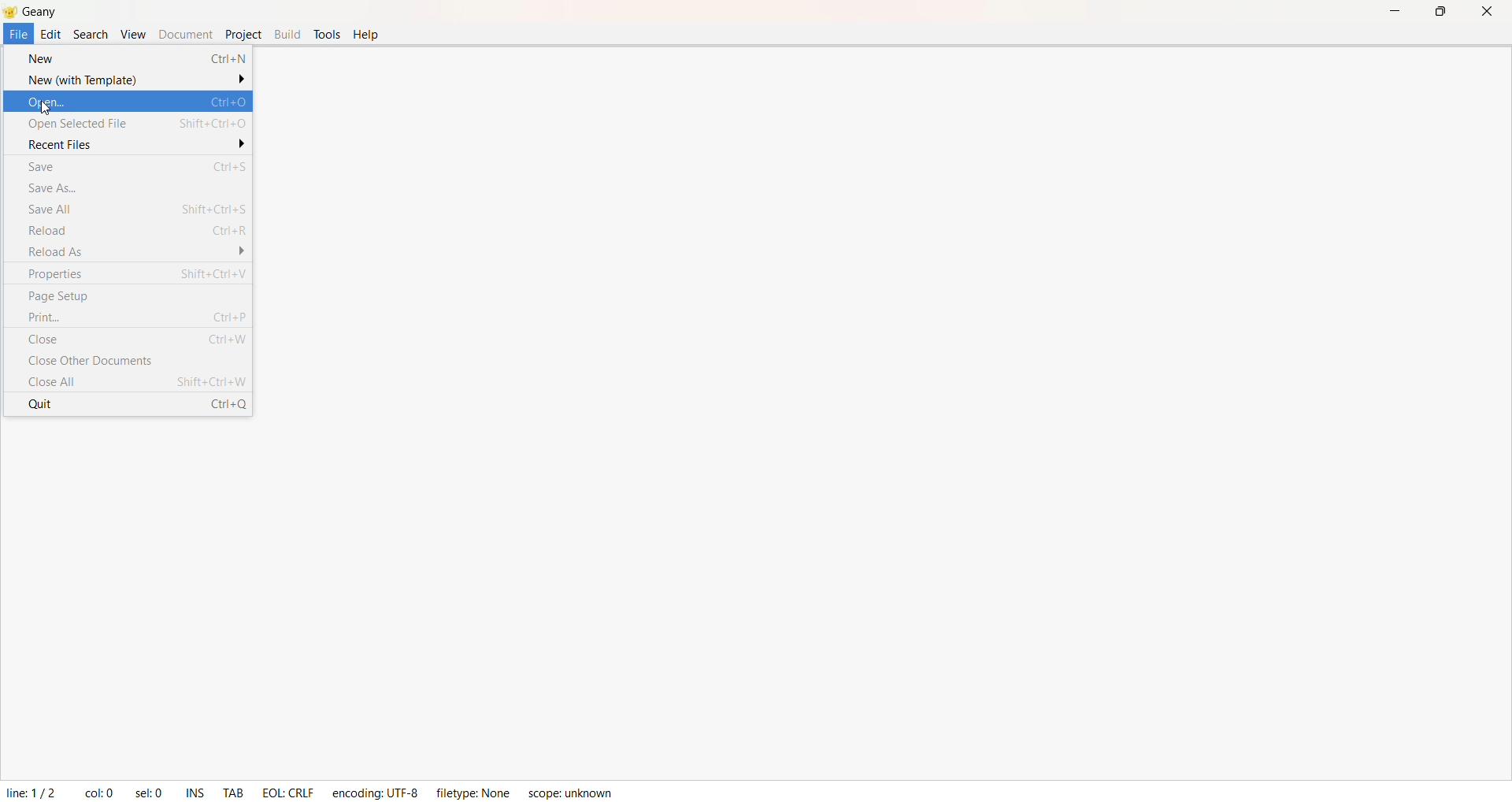 The width and height of the screenshot is (1512, 802). Describe the element at coordinates (132, 404) in the screenshot. I see `Quit` at that location.